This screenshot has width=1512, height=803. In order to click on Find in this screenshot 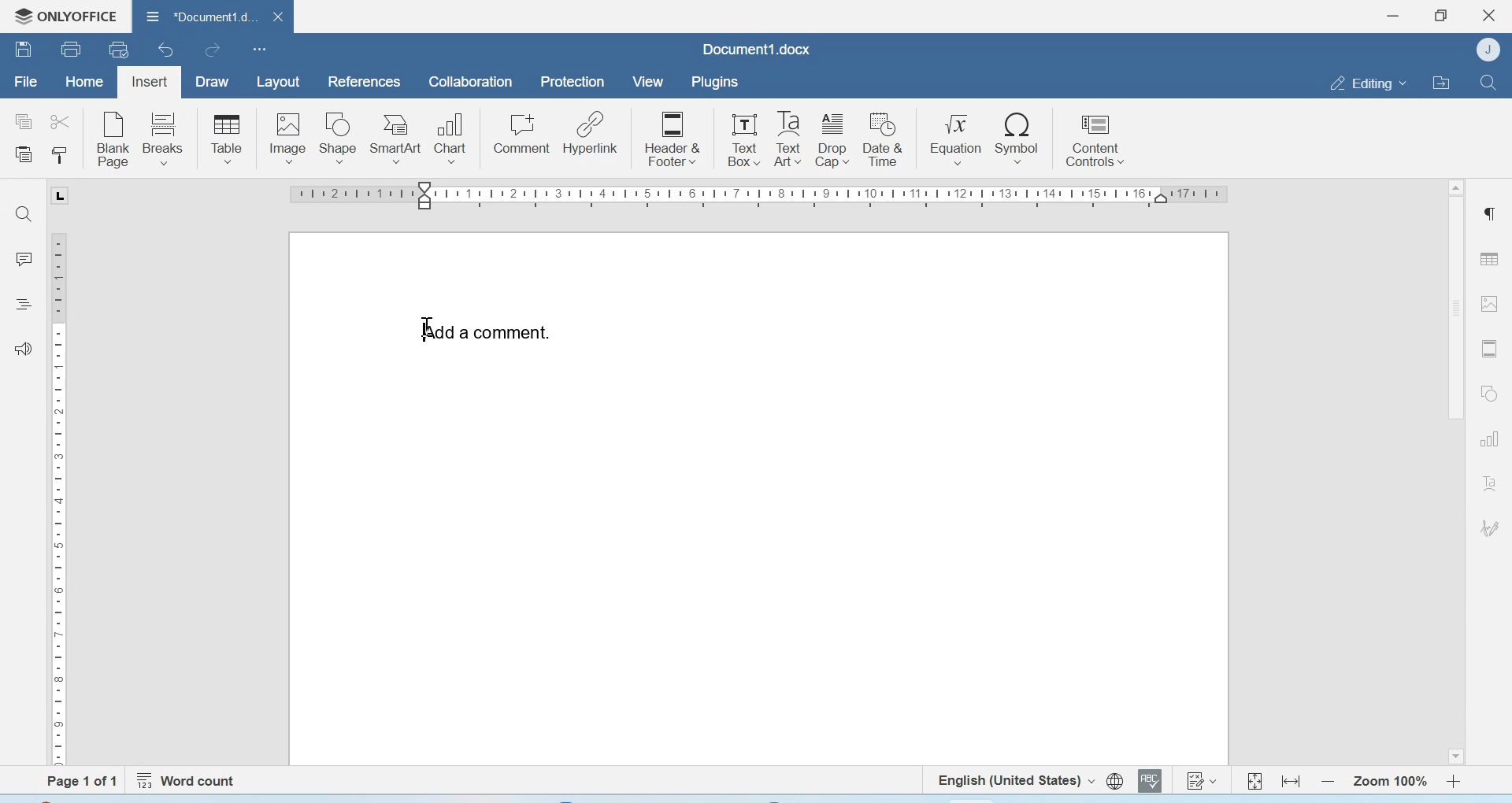, I will do `click(22, 213)`.